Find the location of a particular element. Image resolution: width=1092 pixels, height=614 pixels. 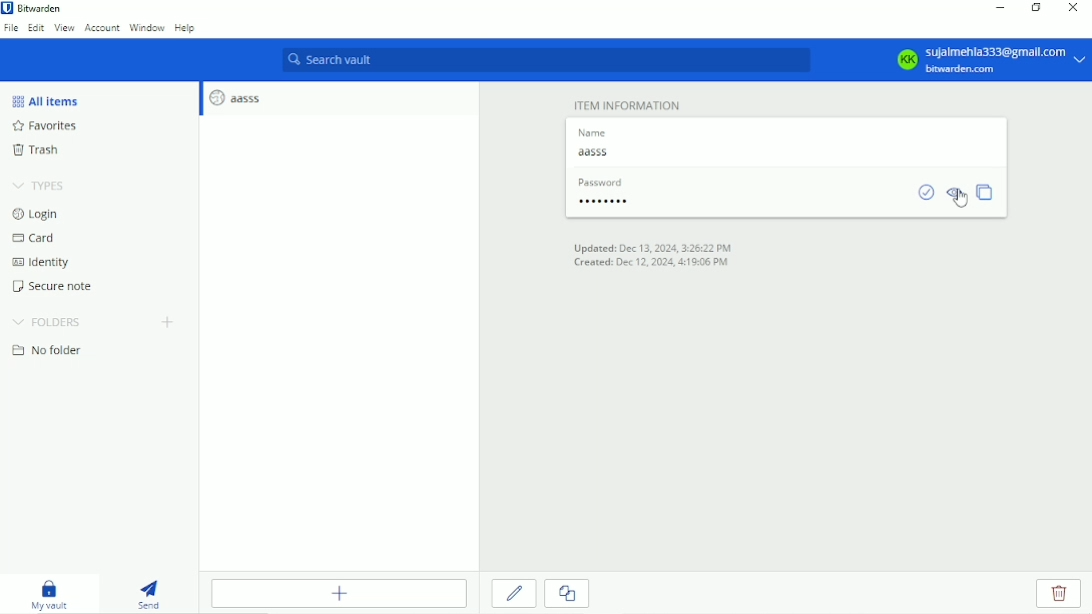

Account is located at coordinates (102, 29).